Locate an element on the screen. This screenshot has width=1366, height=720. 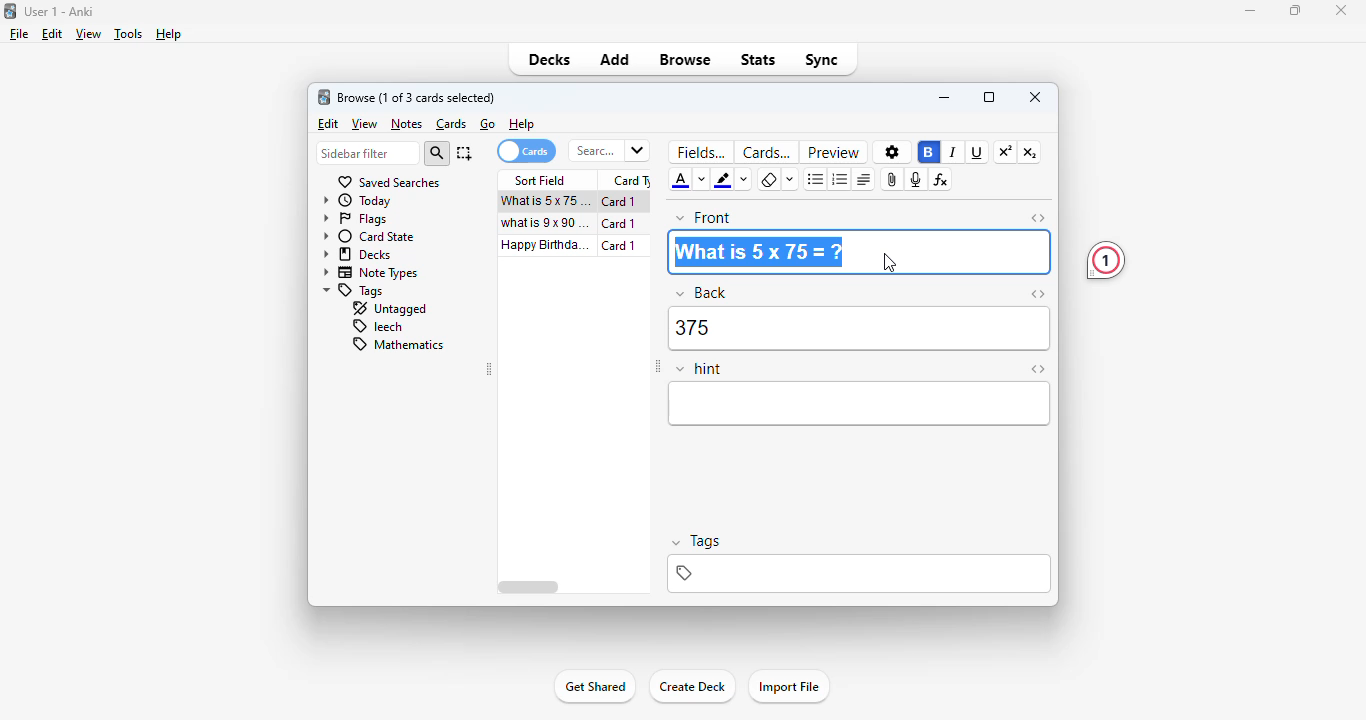
minimize is located at coordinates (1250, 11).